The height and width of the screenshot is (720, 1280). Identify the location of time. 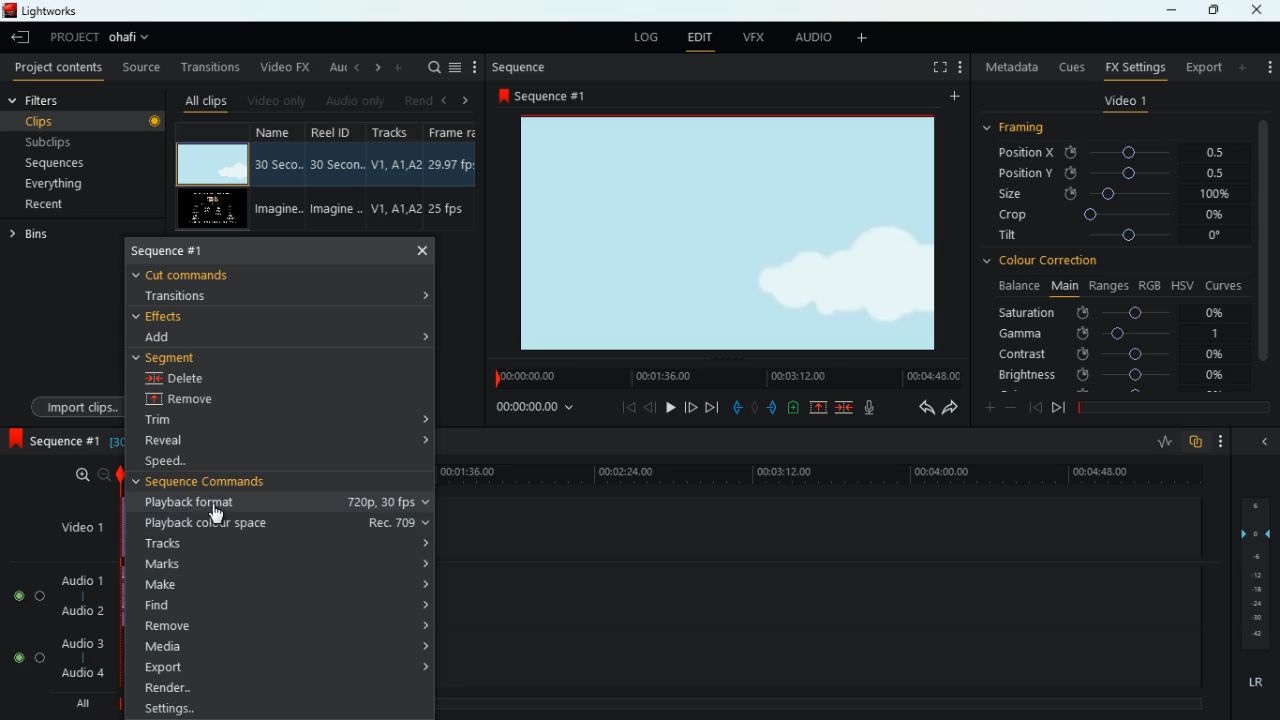
(724, 378).